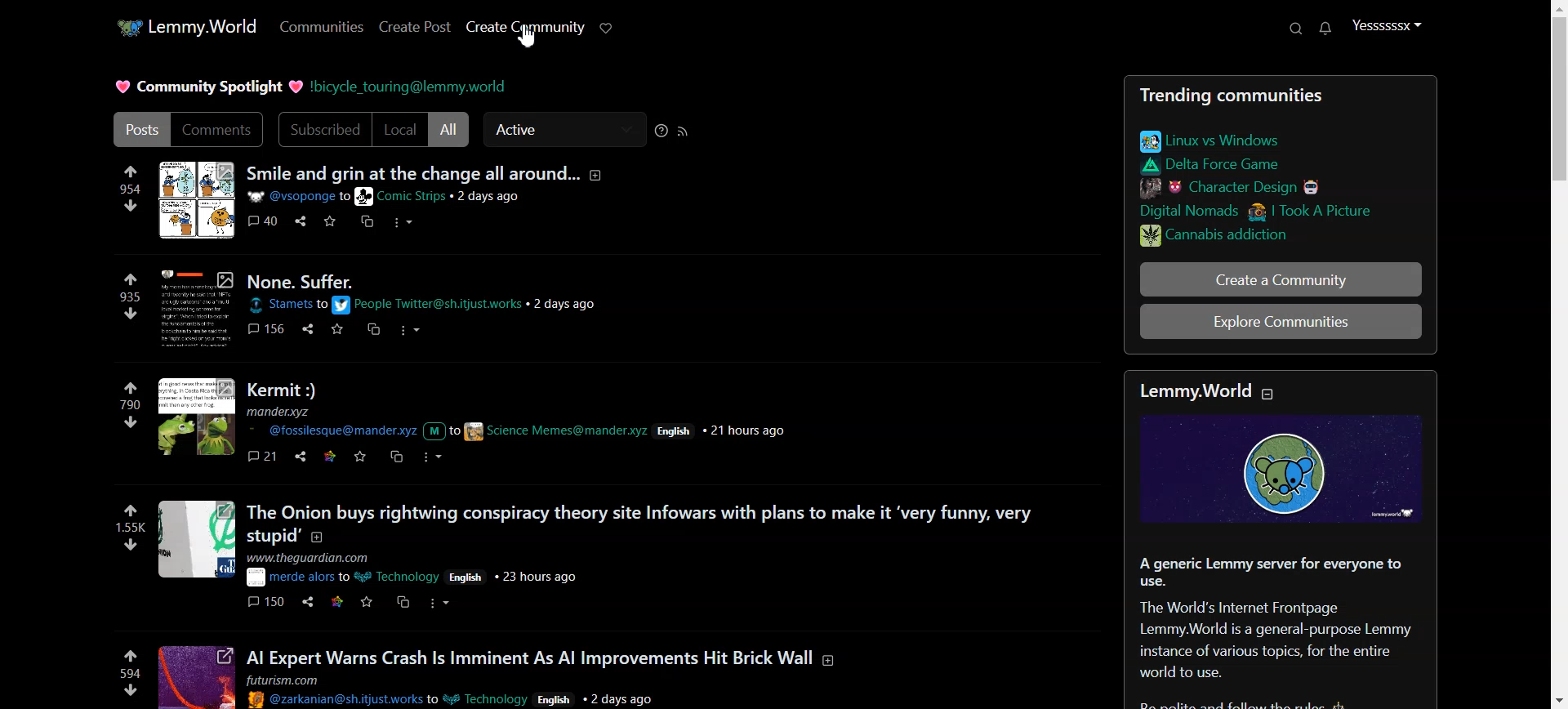 Image resolution: width=1568 pixels, height=709 pixels. What do you see at coordinates (645, 524) in the screenshot?
I see `posts` at bounding box center [645, 524].